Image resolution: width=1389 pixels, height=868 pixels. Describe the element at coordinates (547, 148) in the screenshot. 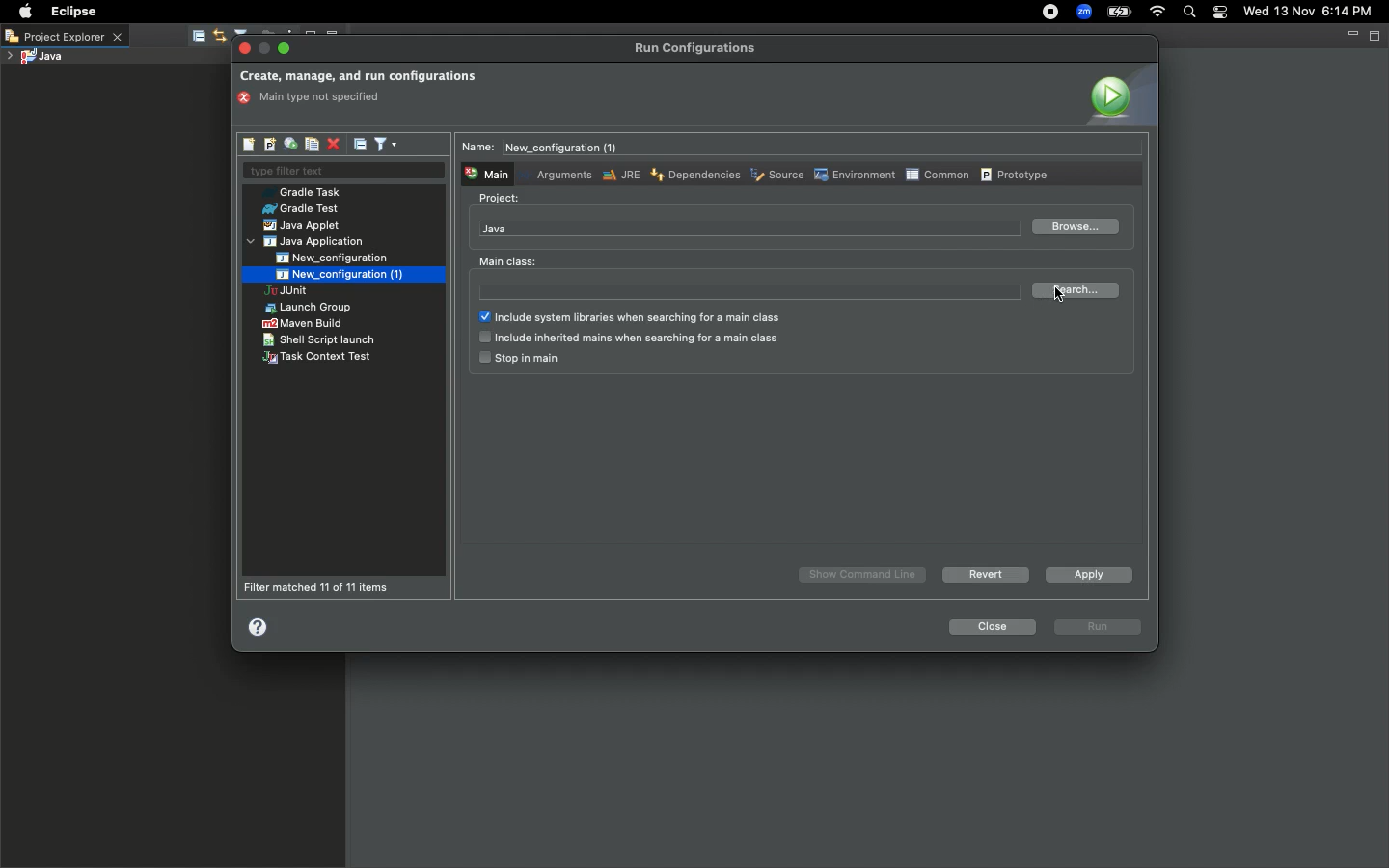

I see `Name: New_configuration_(1)` at that location.